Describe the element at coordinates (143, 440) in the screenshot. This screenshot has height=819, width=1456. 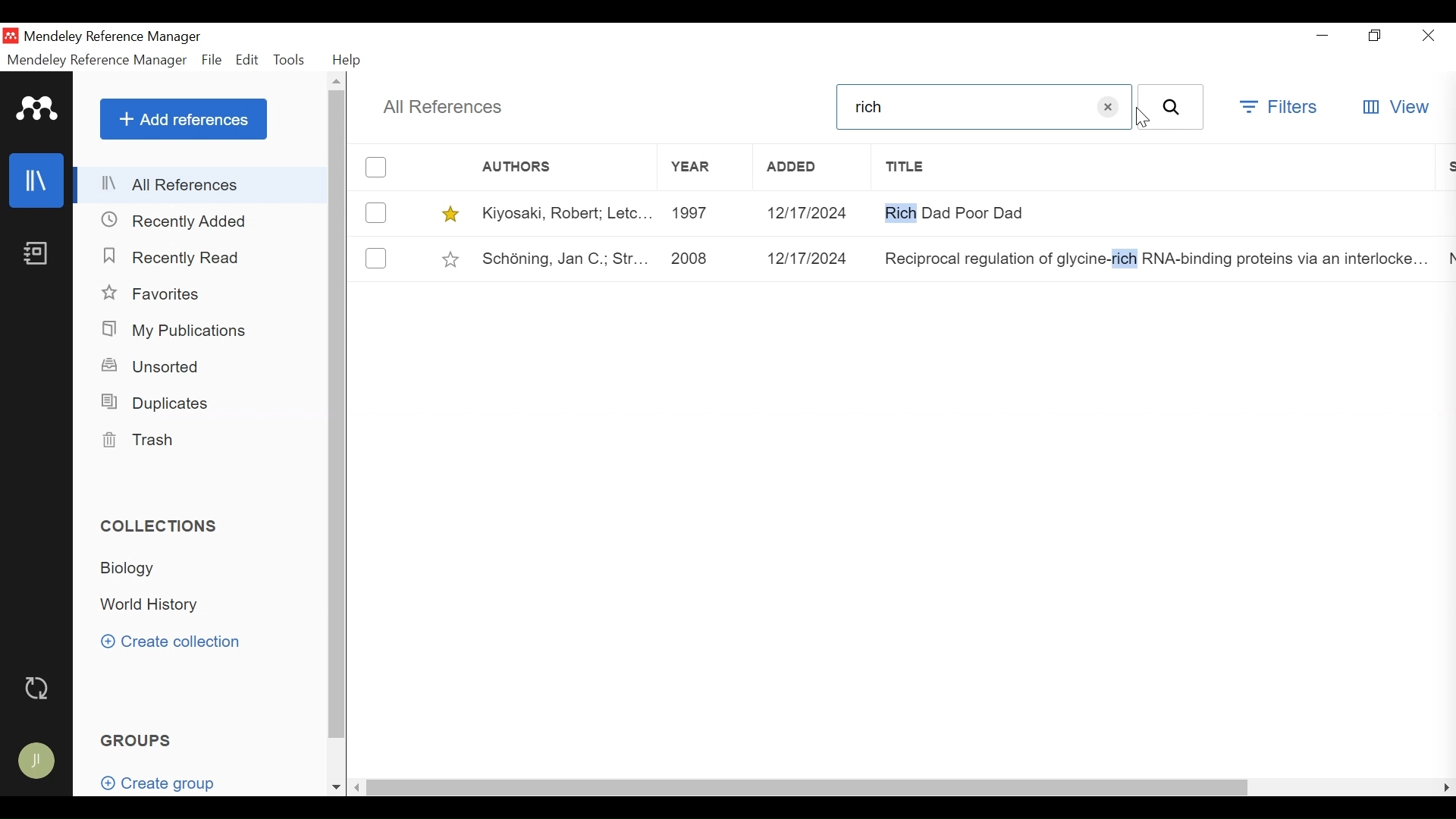
I see `Trash` at that location.